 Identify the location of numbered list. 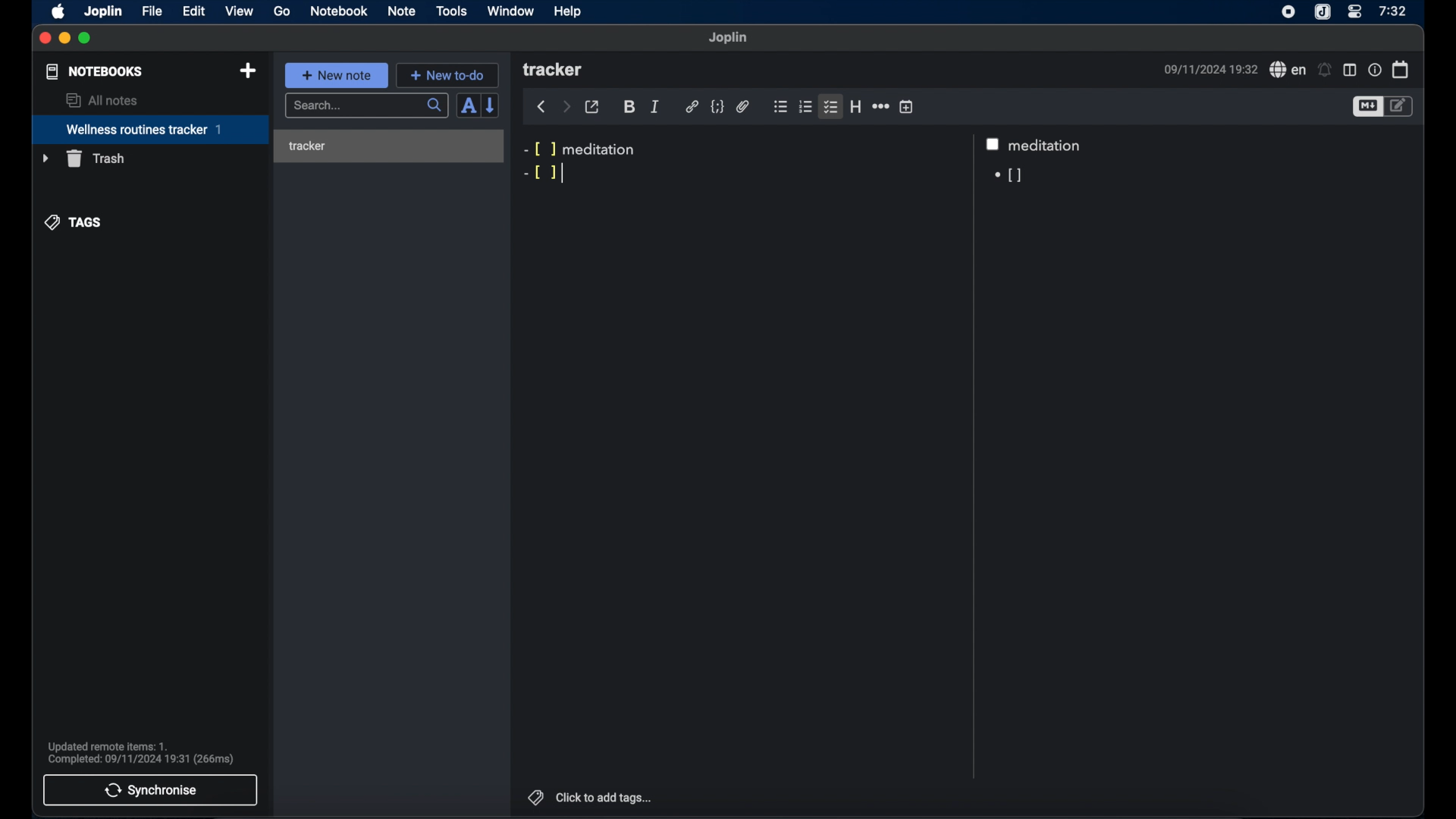
(806, 107).